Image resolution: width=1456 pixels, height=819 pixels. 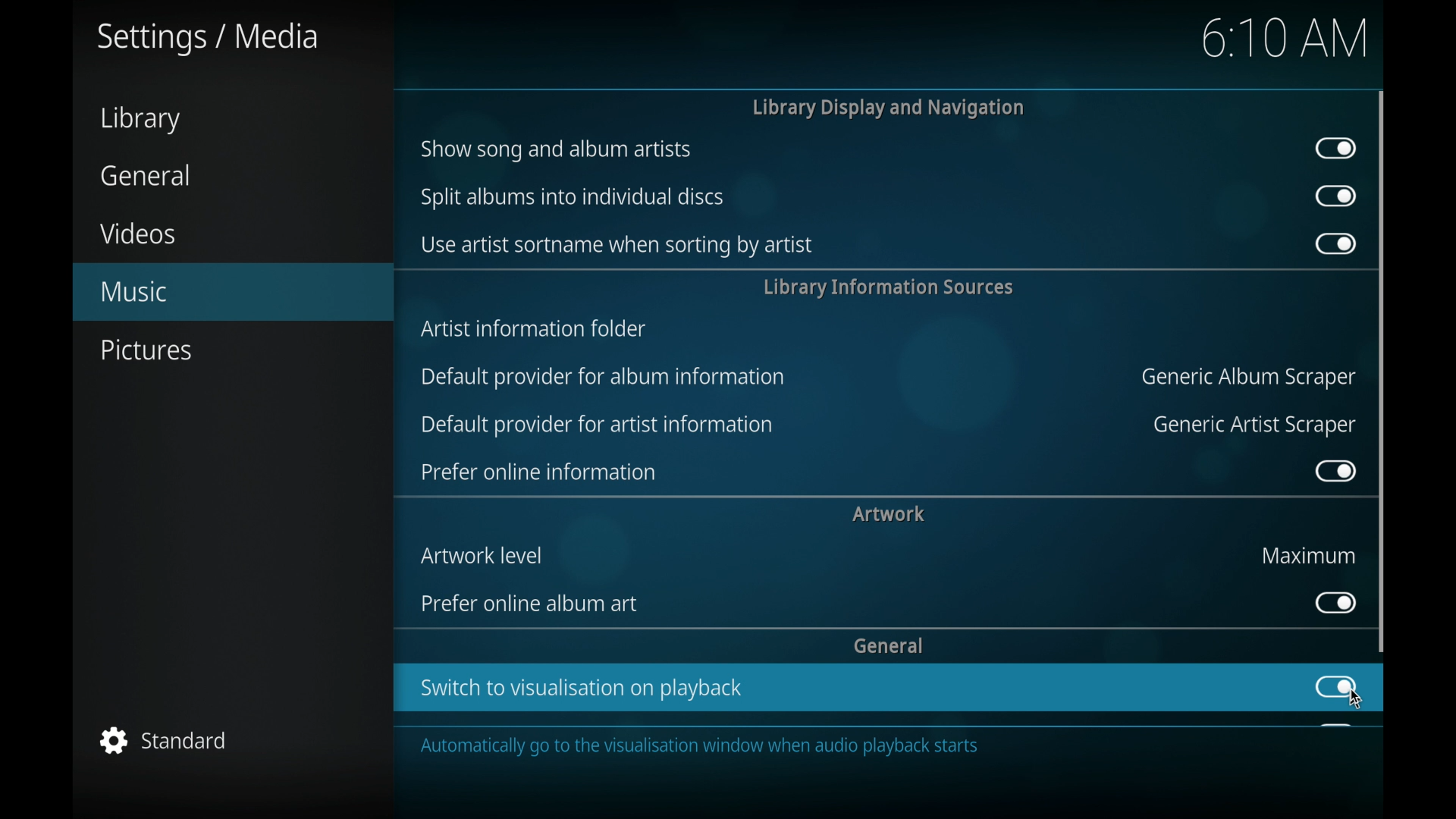 I want to click on standard, so click(x=165, y=740).